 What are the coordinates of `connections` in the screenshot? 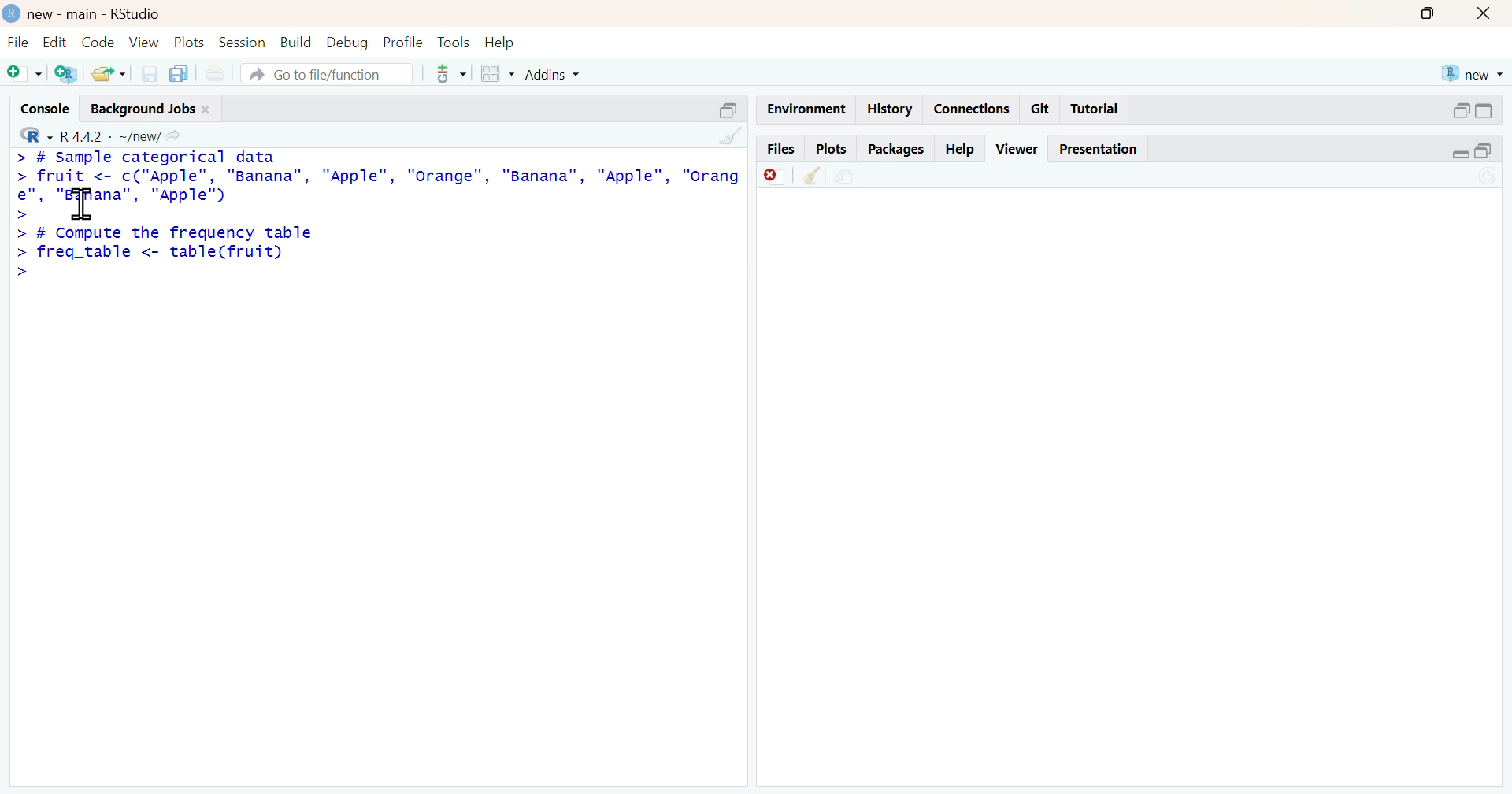 It's located at (972, 109).